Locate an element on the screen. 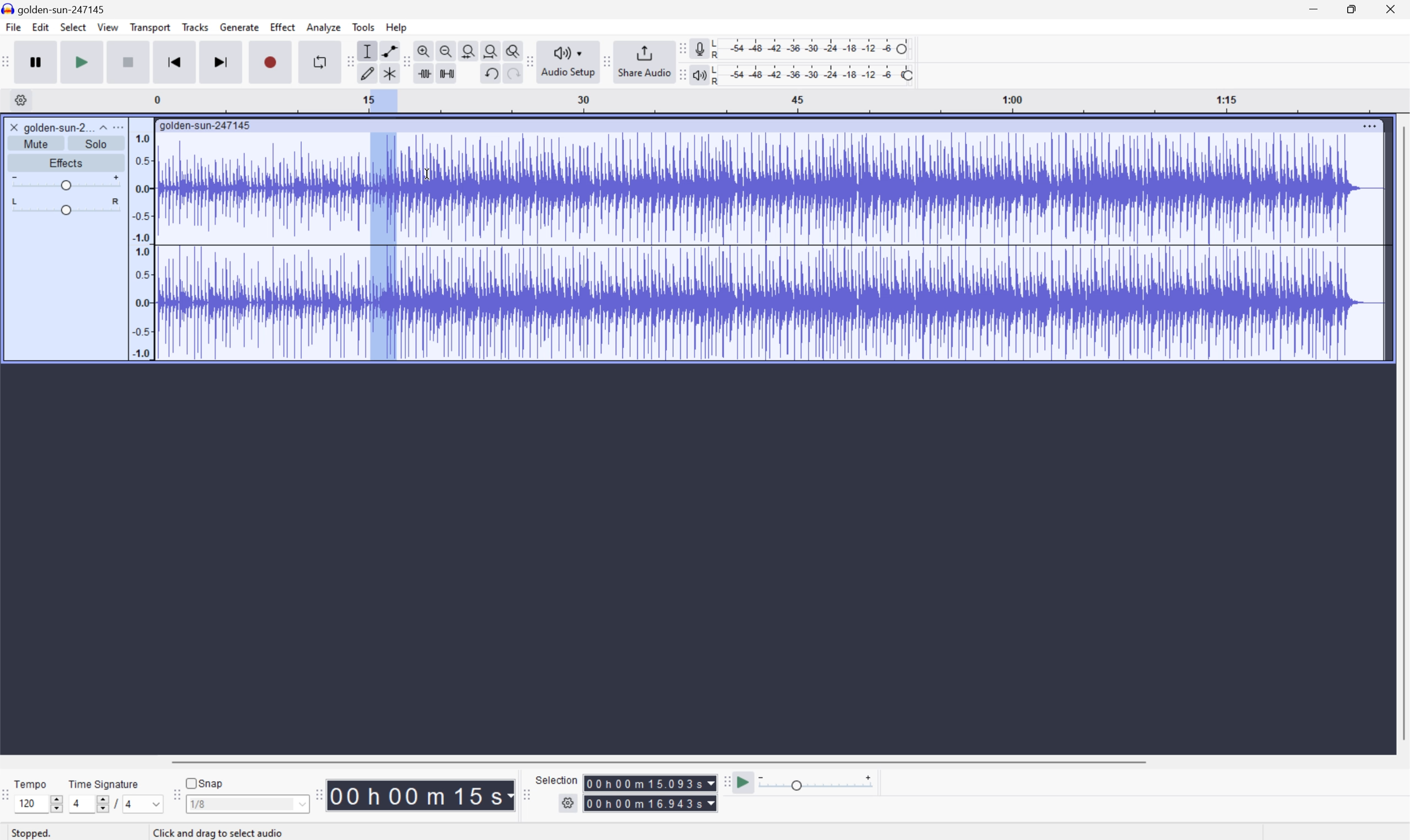  Skip to start is located at coordinates (176, 62).